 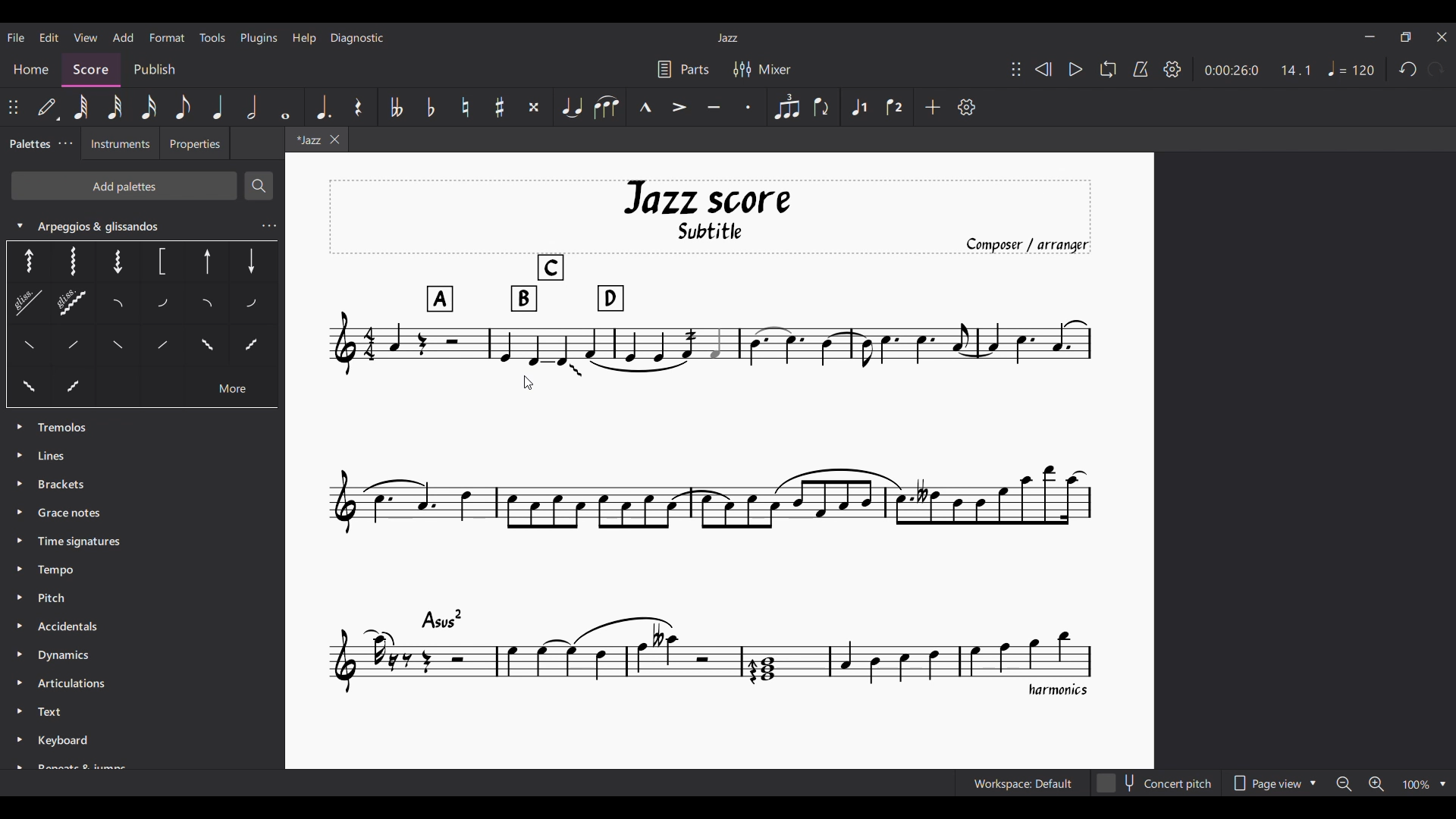 I want to click on Format menu, so click(x=167, y=37).